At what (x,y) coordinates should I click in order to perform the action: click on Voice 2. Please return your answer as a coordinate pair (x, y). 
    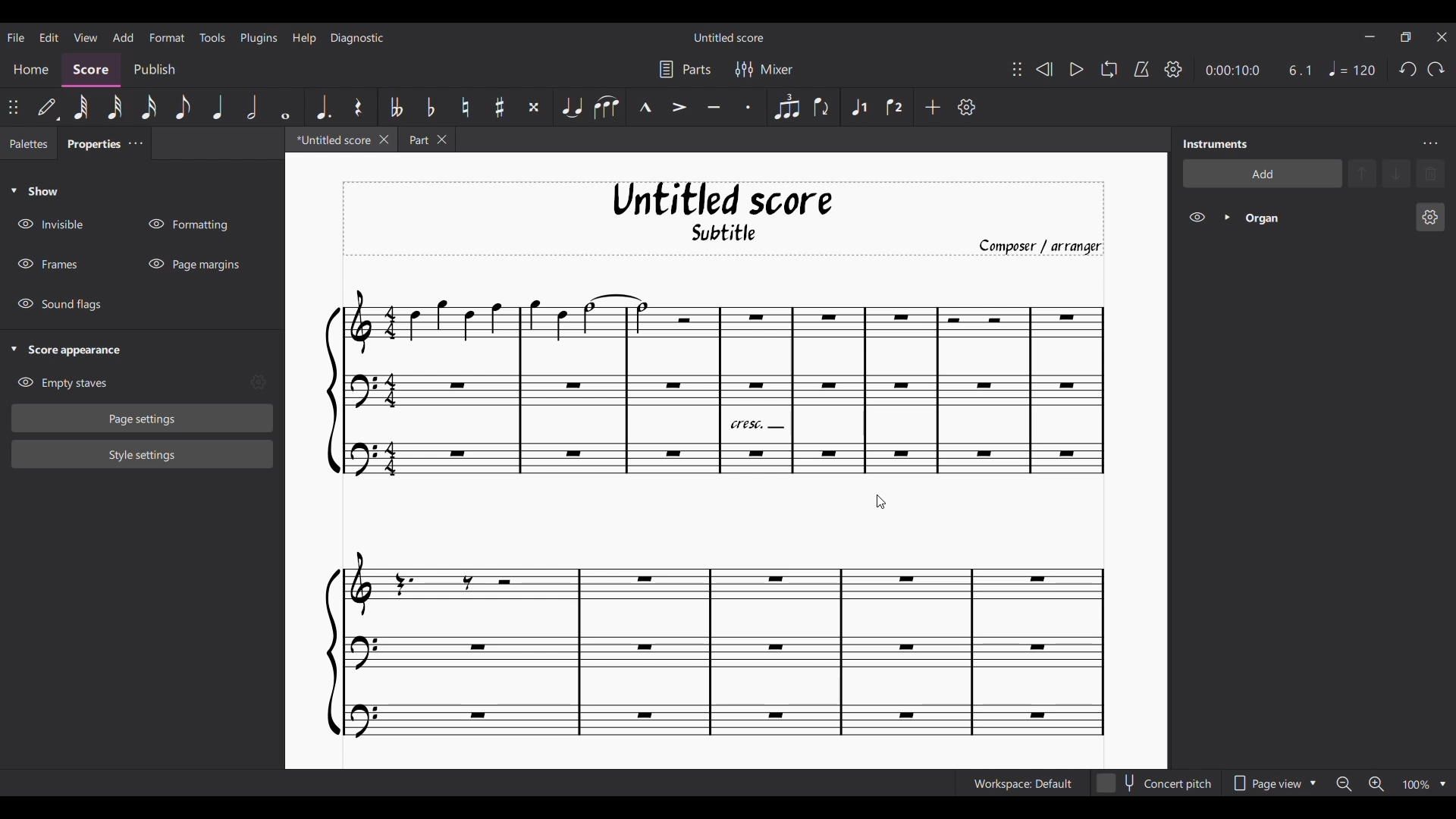
    Looking at the image, I should click on (896, 107).